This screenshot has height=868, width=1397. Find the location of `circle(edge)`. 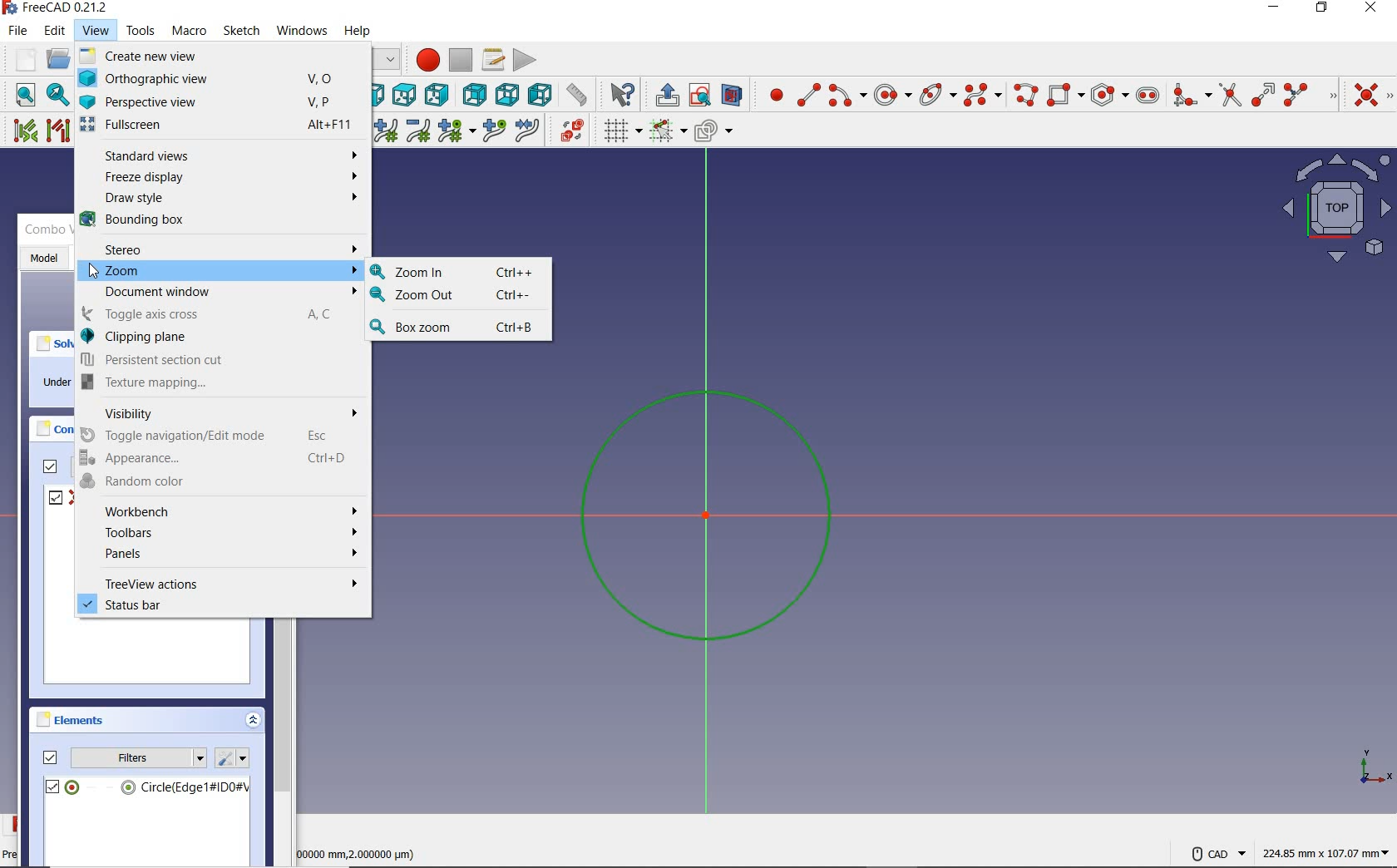

circle(edge) is located at coordinates (146, 786).